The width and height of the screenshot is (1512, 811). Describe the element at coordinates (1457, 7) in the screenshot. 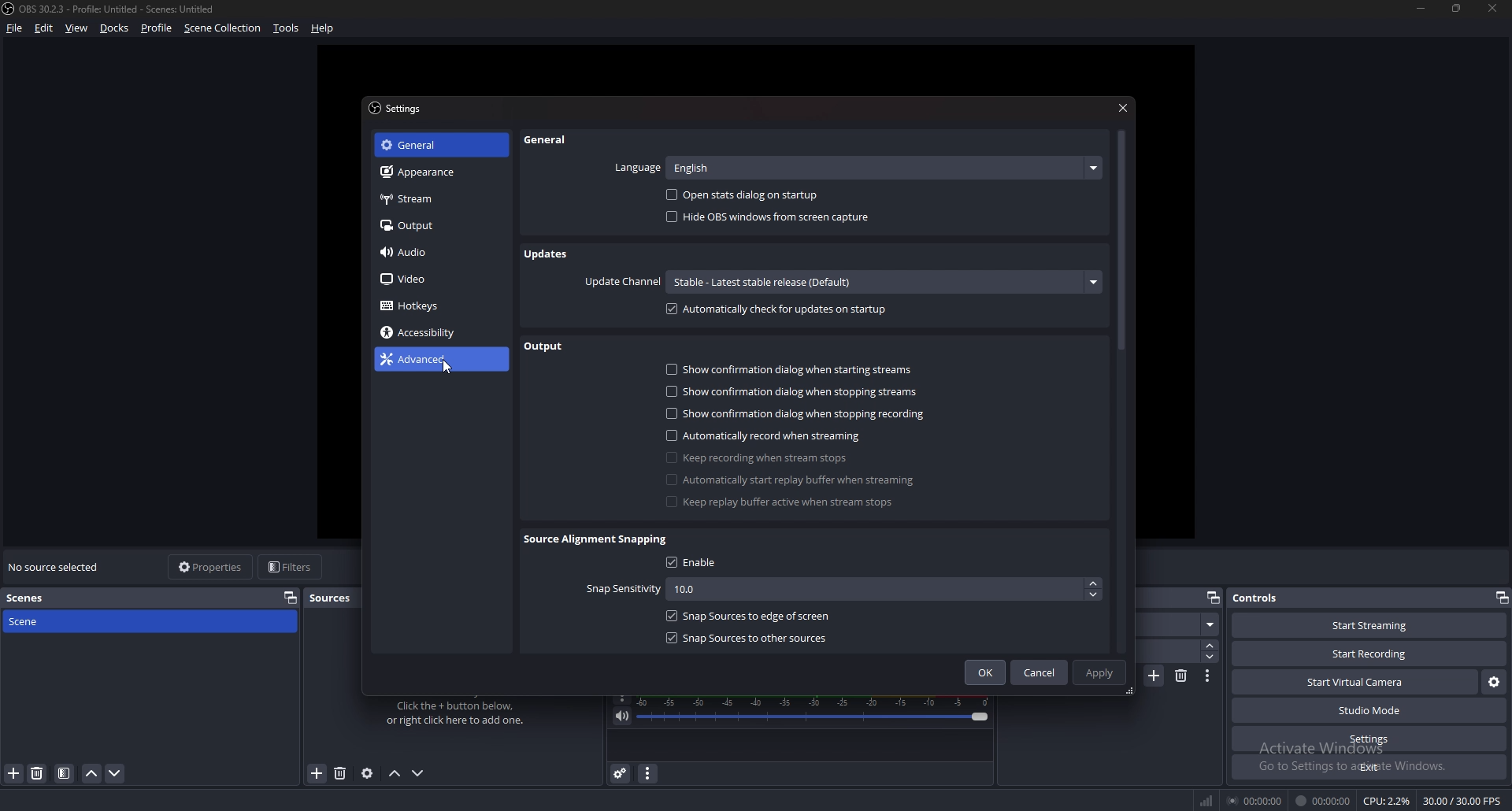

I see `resize` at that location.